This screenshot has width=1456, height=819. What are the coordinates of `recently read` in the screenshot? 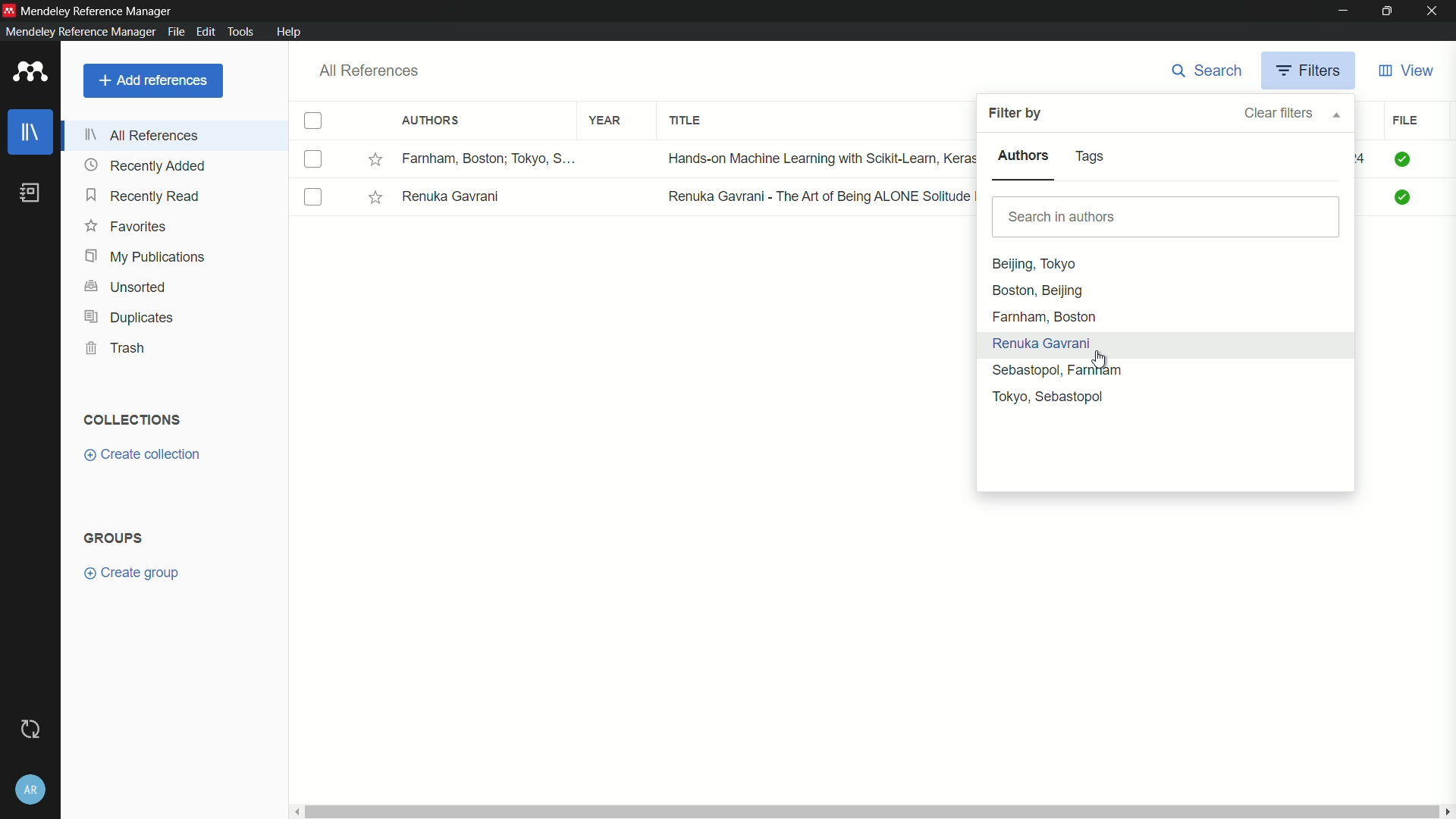 It's located at (143, 196).